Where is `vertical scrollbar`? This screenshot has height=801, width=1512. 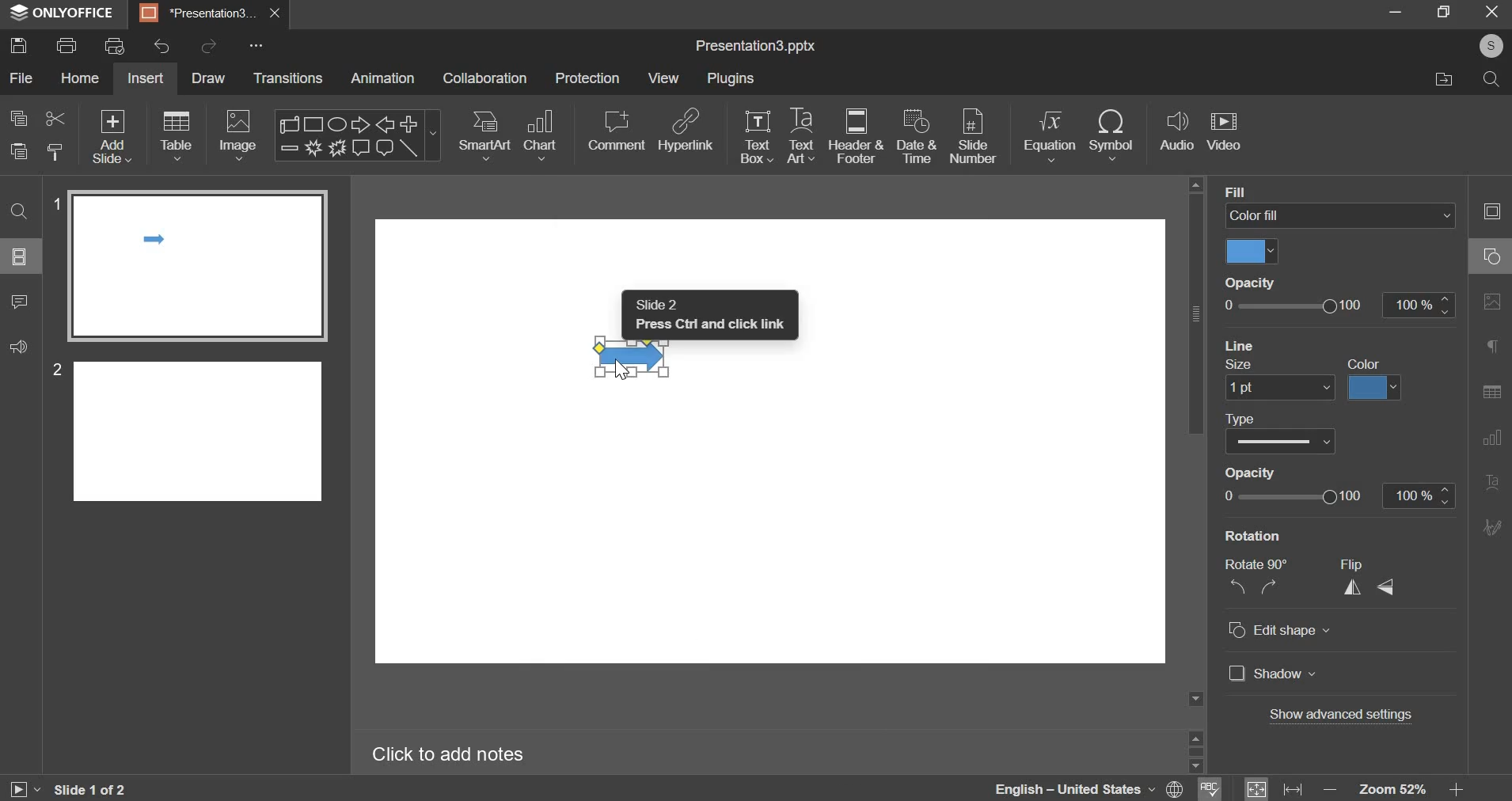 vertical scrollbar is located at coordinates (1195, 313).